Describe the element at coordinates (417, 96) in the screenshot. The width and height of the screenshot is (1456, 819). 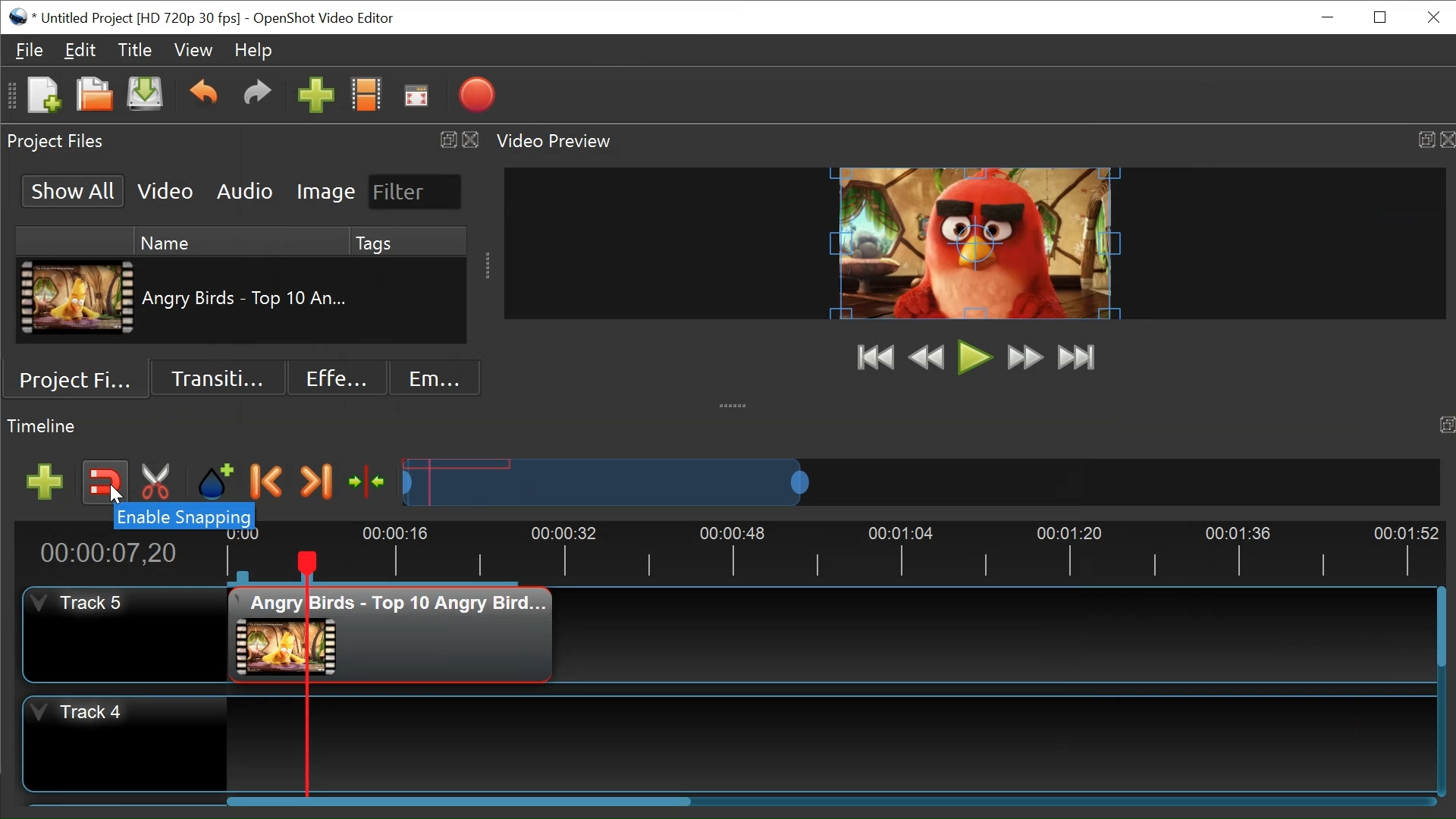
I see `Fullscreen` at that location.